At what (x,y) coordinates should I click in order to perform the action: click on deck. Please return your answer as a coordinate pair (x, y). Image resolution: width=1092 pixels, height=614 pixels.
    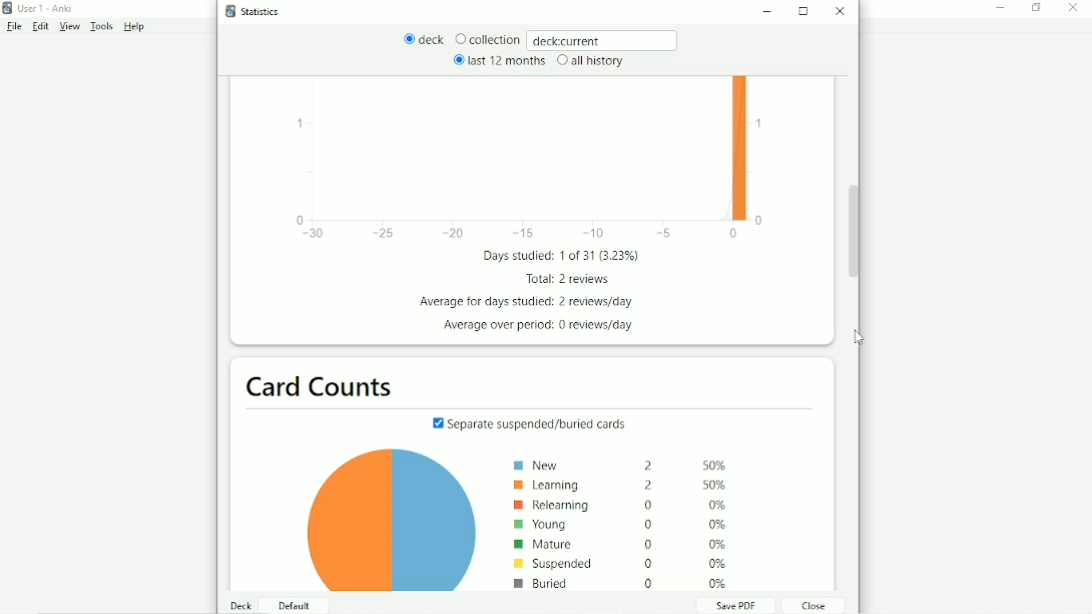
    Looking at the image, I should click on (424, 40).